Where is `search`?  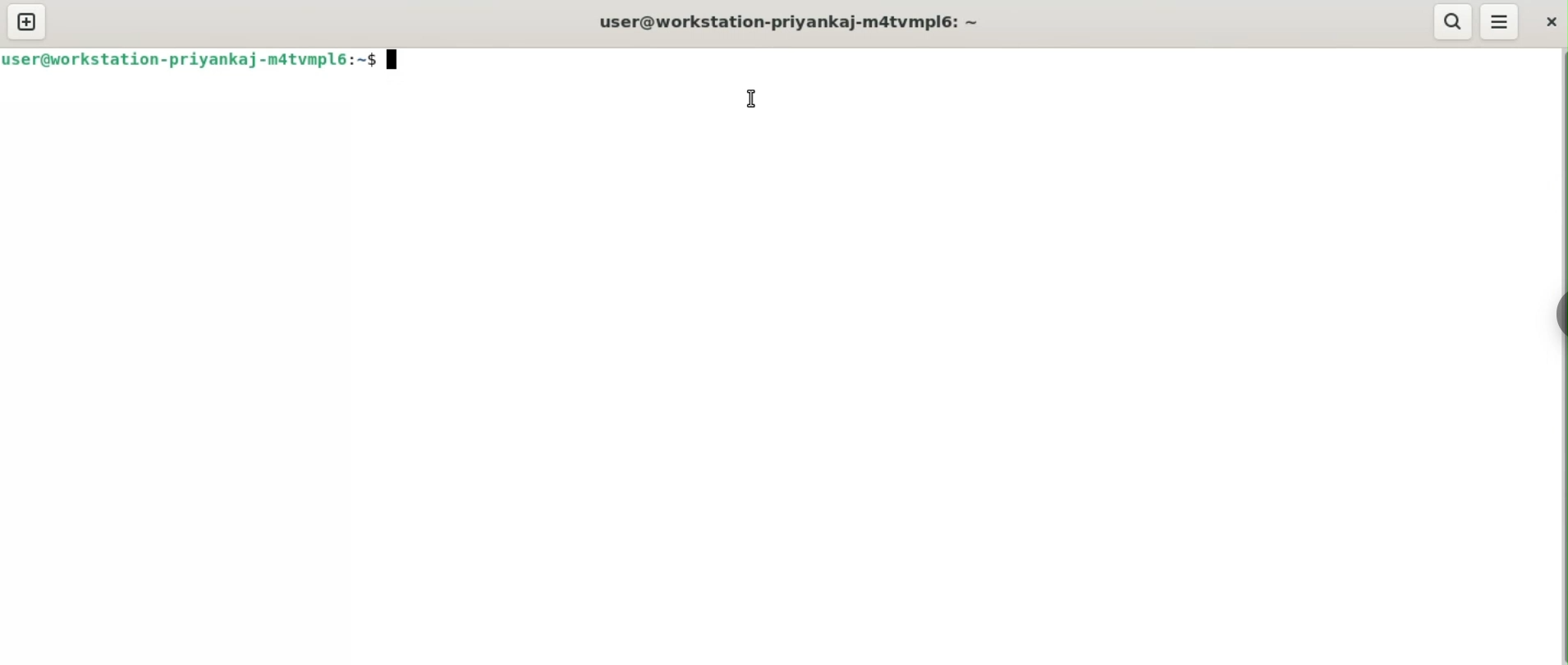 search is located at coordinates (1454, 22).